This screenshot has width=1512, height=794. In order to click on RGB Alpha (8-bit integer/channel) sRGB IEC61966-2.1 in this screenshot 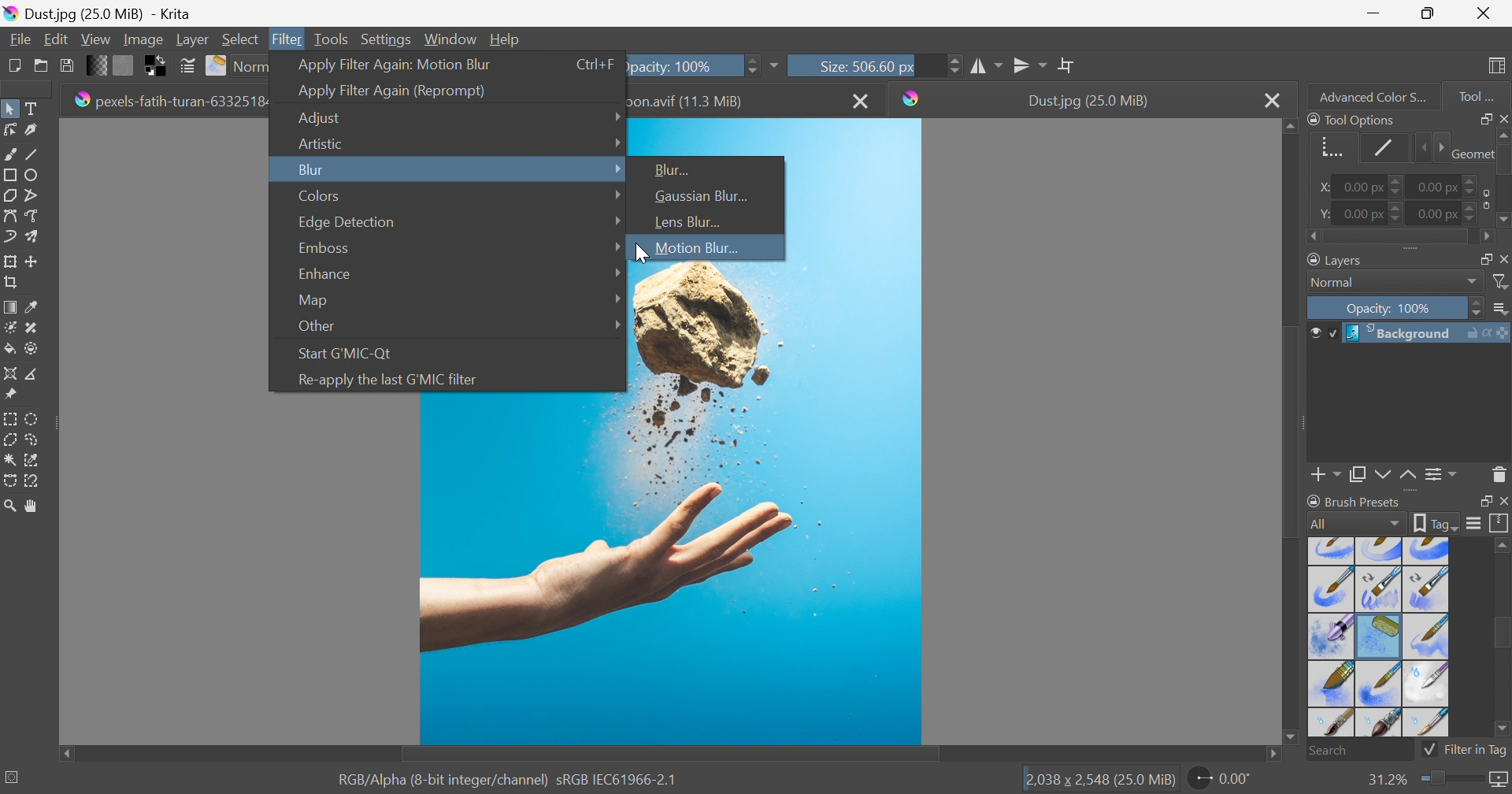, I will do `click(508, 778)`.